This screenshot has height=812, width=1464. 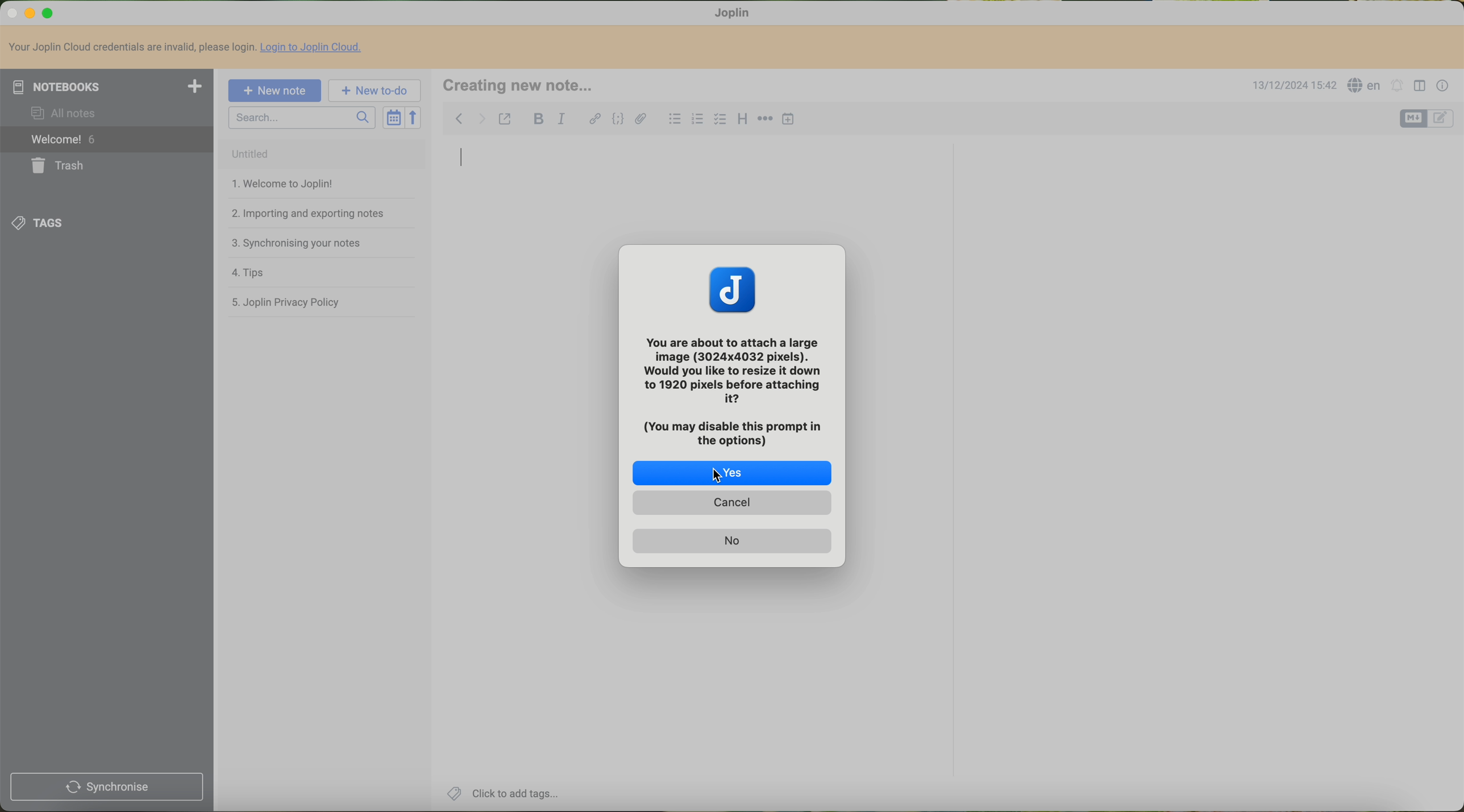 I want to click on toggle sort order field, so click(x=392, y=118).